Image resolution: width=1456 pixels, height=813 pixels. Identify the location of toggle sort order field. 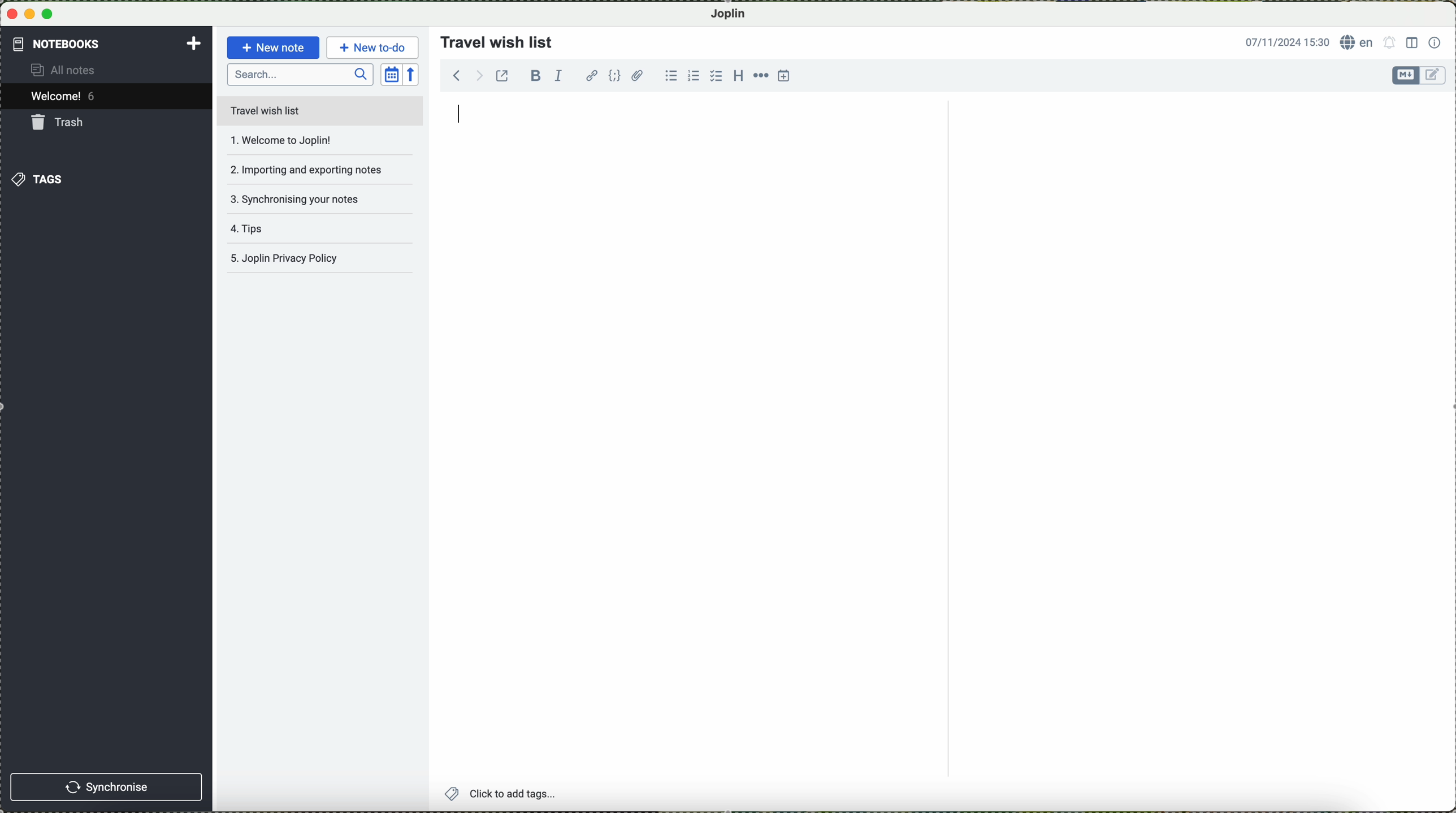
(391, 73).